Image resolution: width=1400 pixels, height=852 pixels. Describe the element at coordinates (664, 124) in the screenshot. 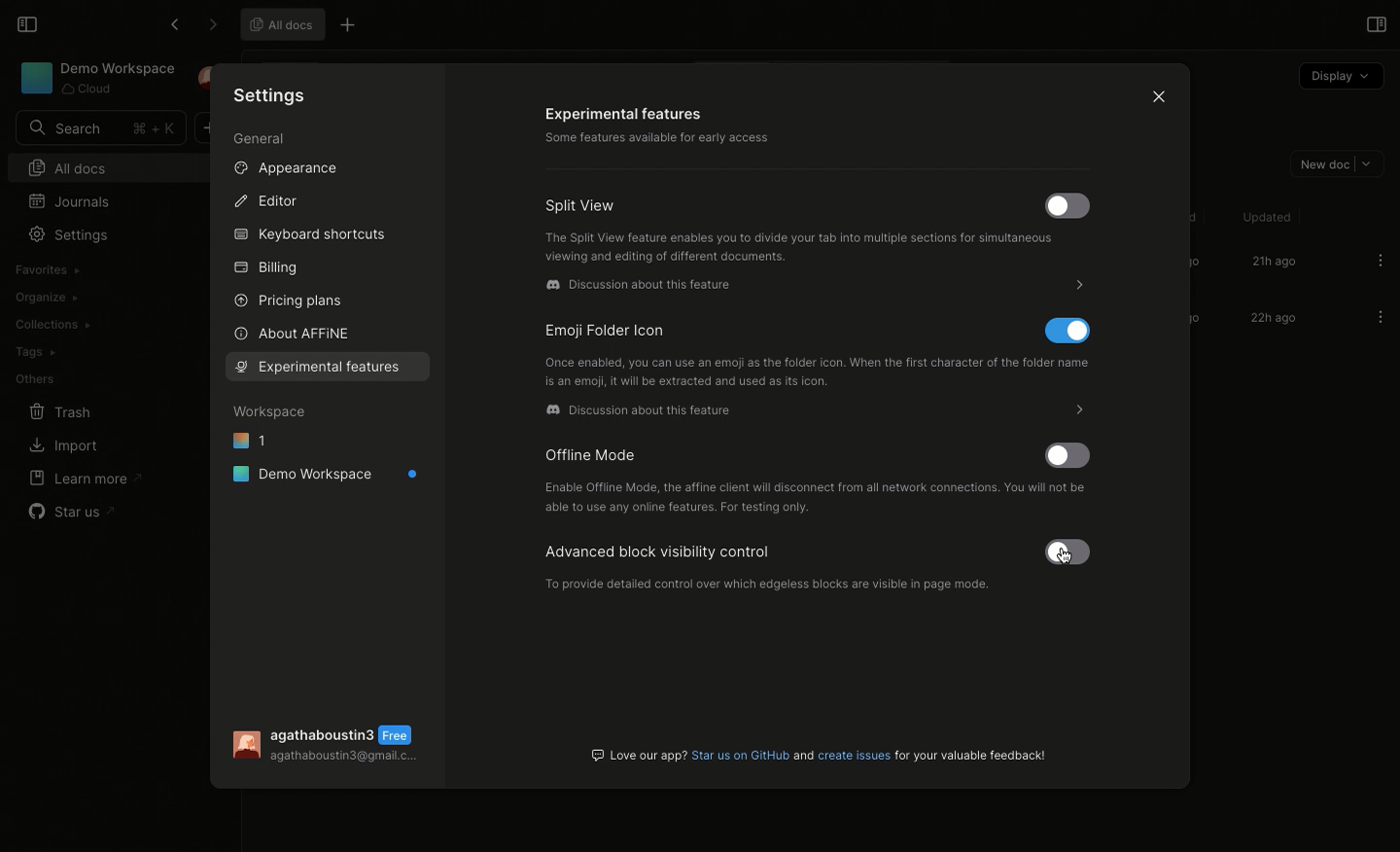

I see `Experimental features` at that location.